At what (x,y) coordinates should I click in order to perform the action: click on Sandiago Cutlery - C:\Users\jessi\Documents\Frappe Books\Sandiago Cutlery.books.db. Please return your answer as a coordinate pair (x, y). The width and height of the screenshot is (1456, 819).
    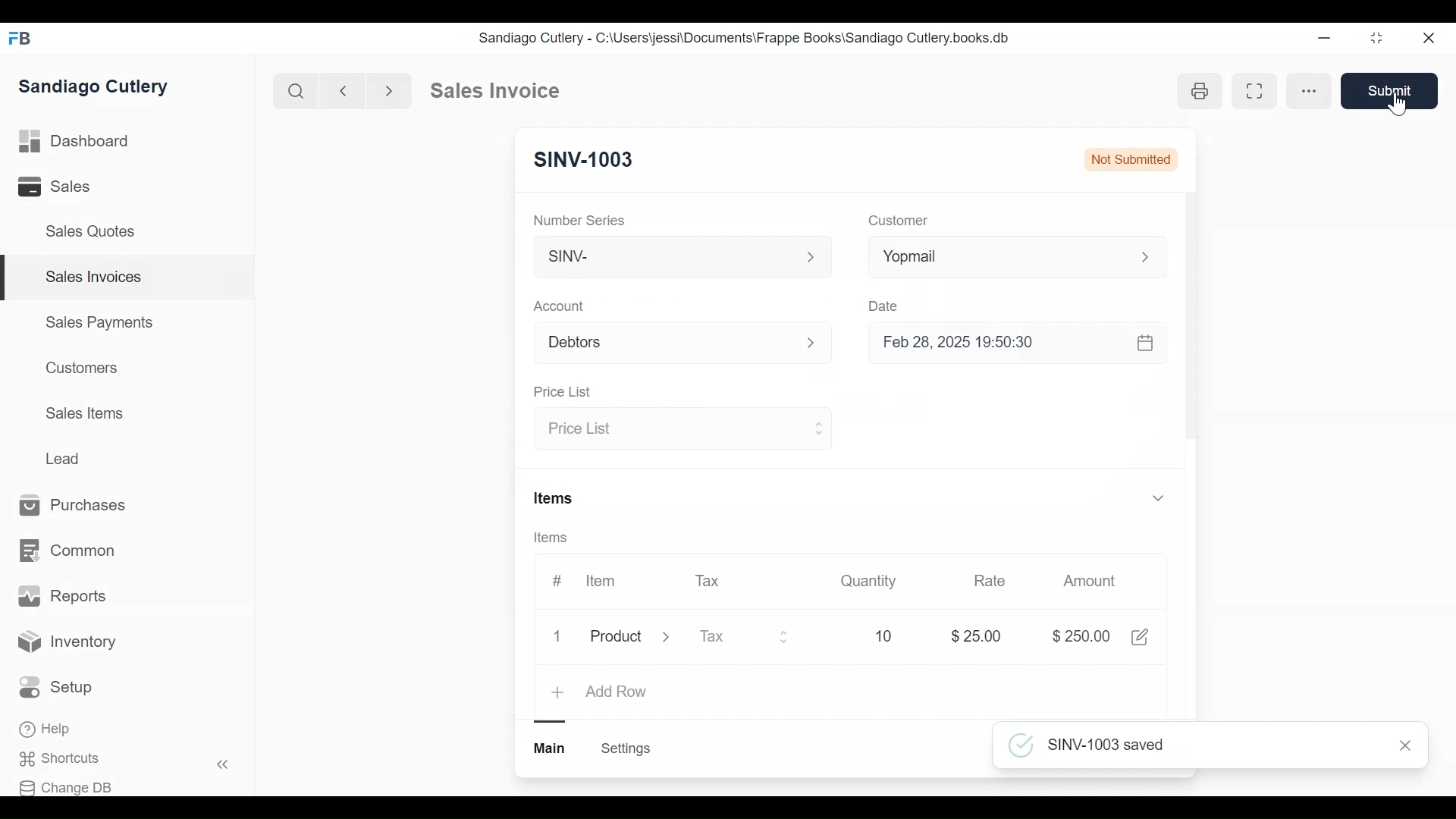
    Looking at the image, I should click on (742, 37).